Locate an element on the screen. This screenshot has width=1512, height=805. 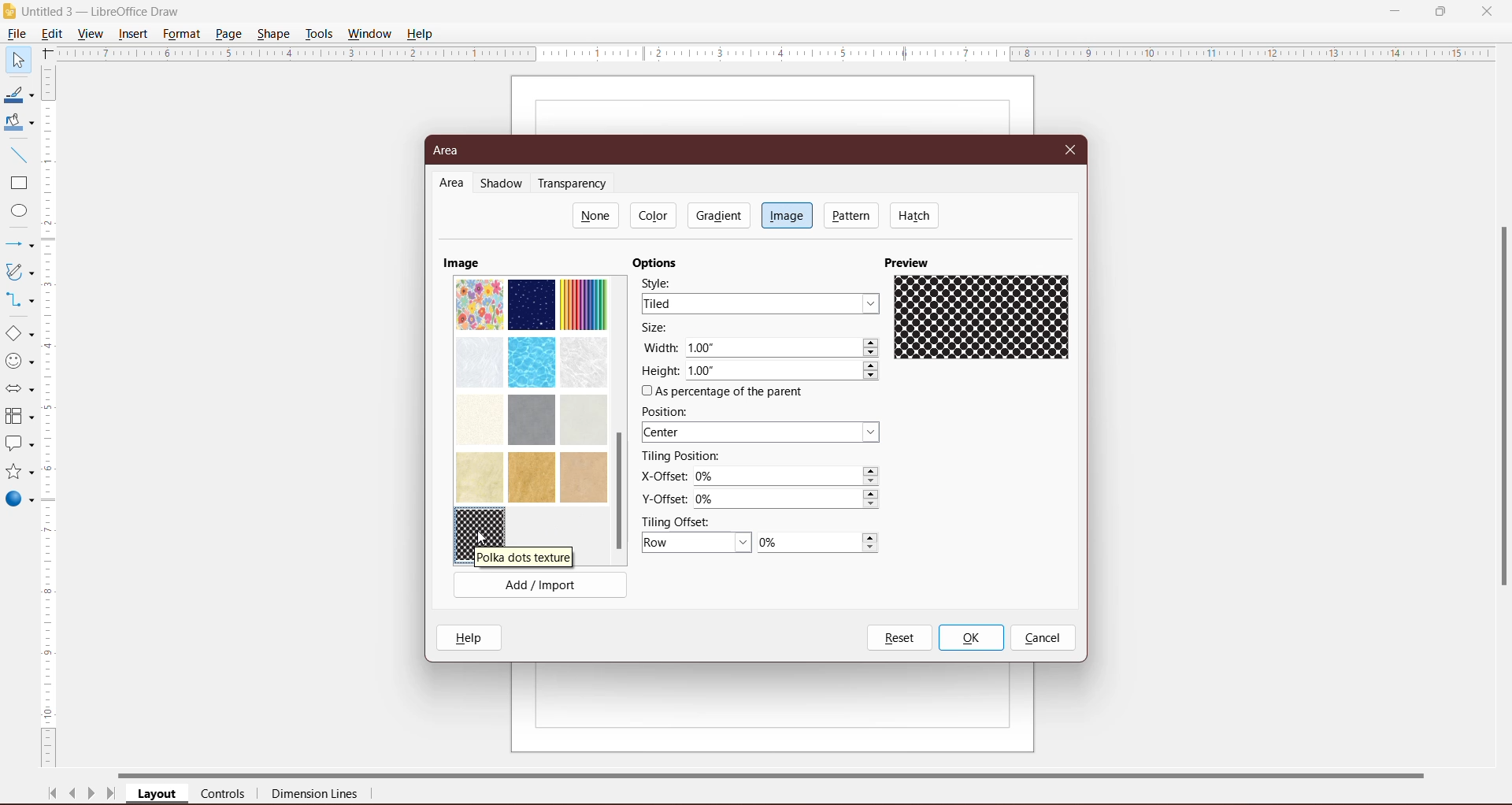
Scroll to first page is located at coordinates (53, 793).